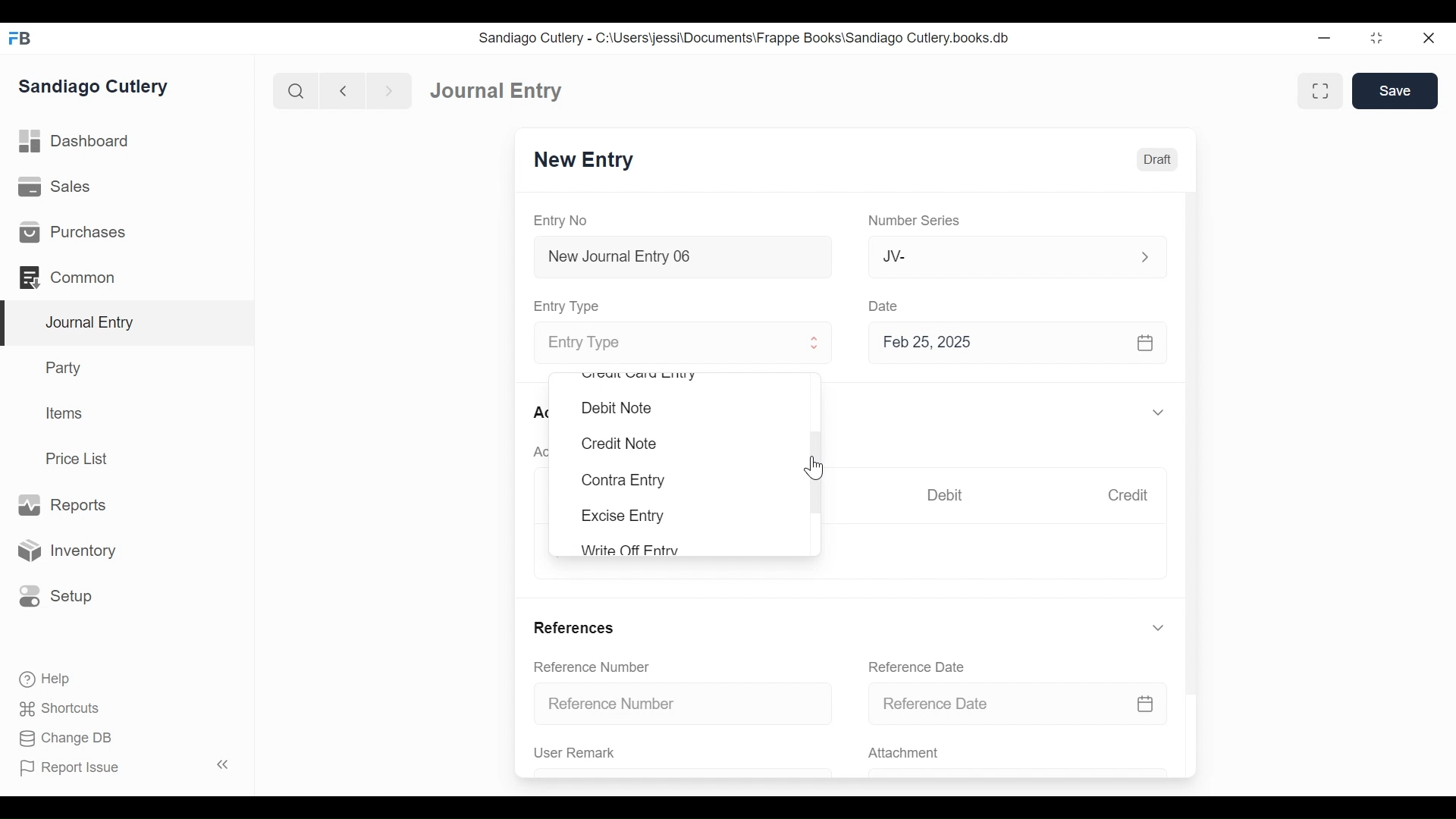 This screenshot has width=1456, height=819. I want to click on Toggle between form and full width, so click(1320, 91).